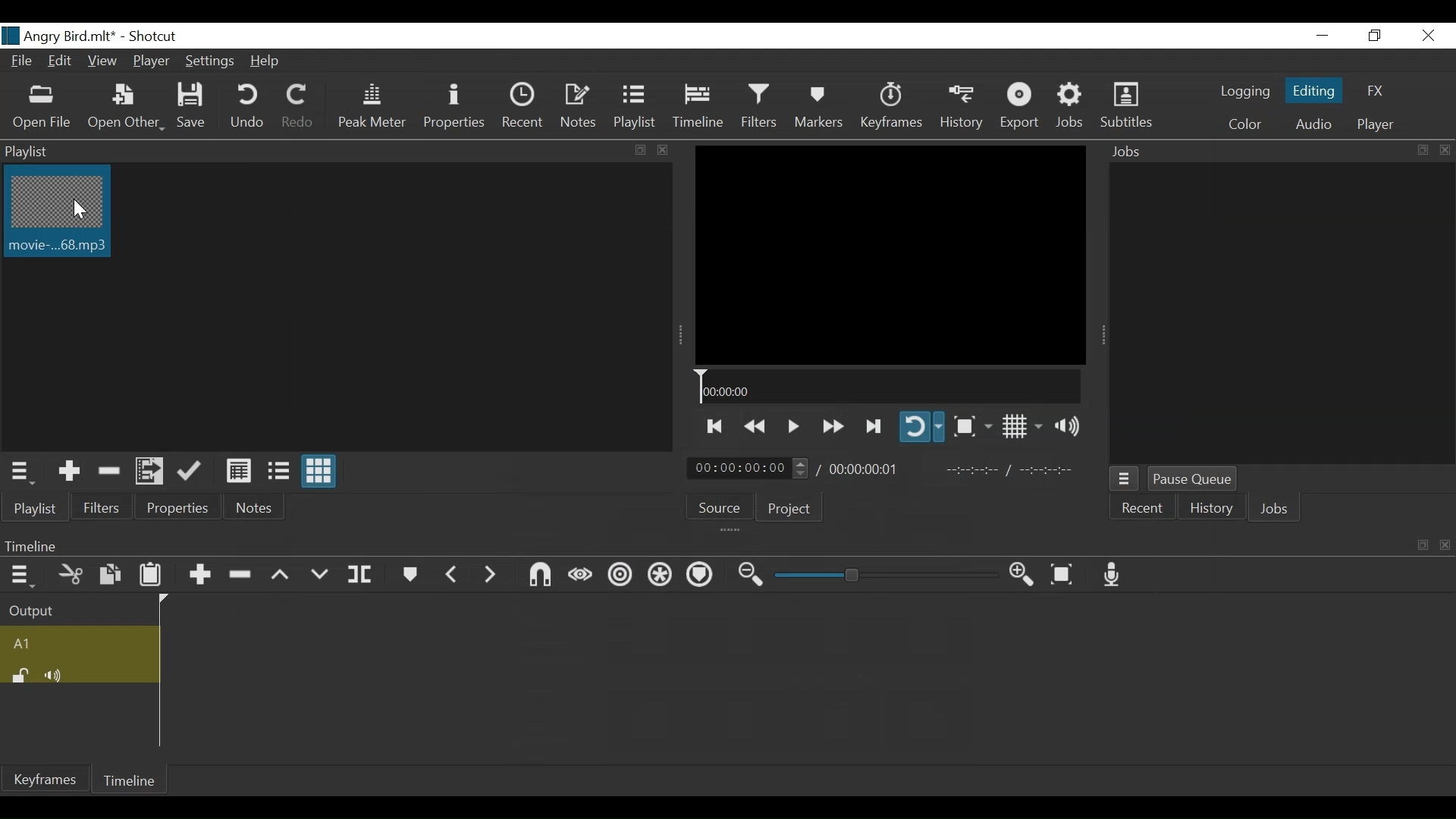  What do you see at coordinates (242, 574) in the screenshot?
I see `Ripple Delete` at bounding box center [242, 574].